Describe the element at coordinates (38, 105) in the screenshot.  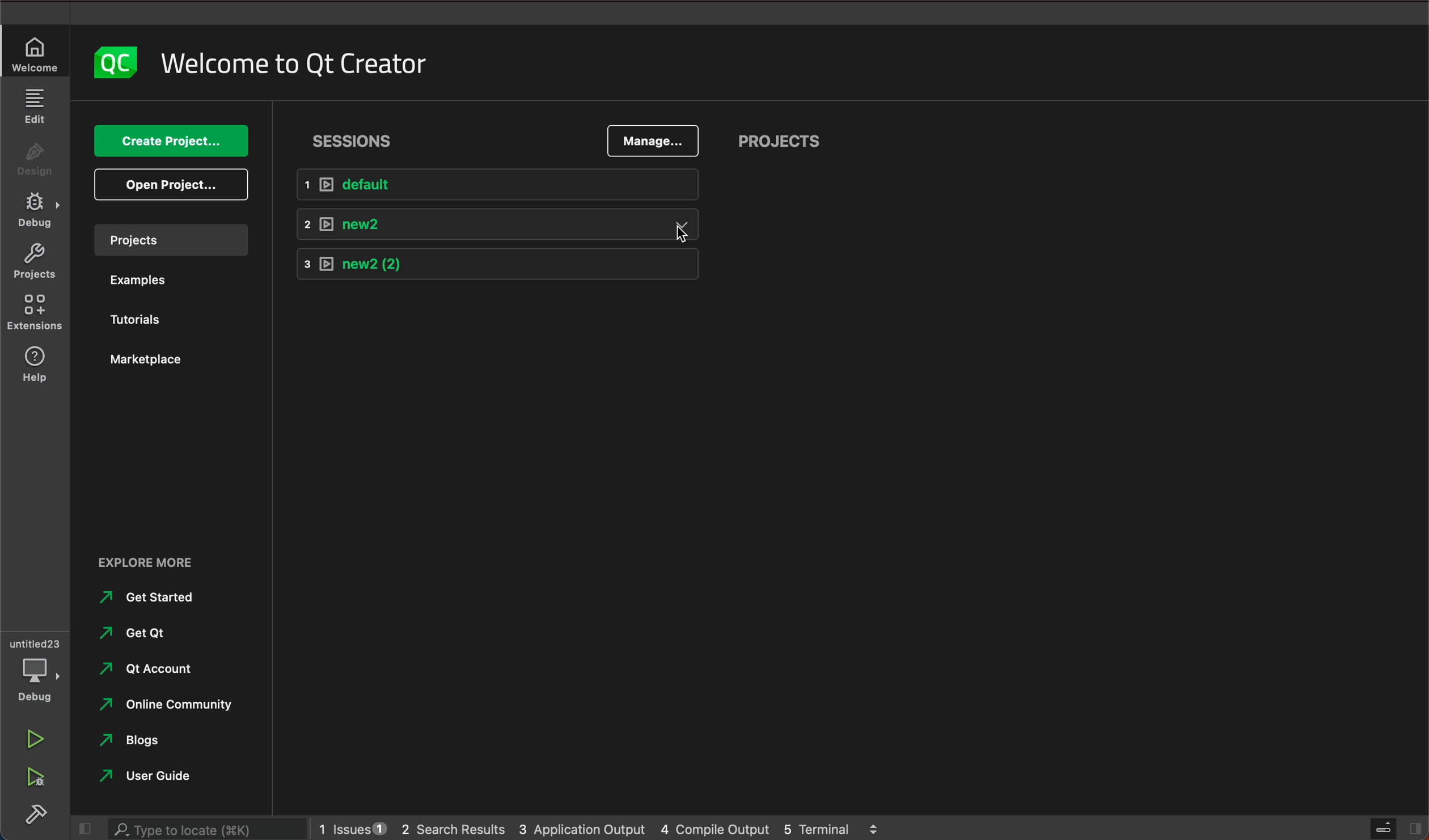
I see `edit` at that location.